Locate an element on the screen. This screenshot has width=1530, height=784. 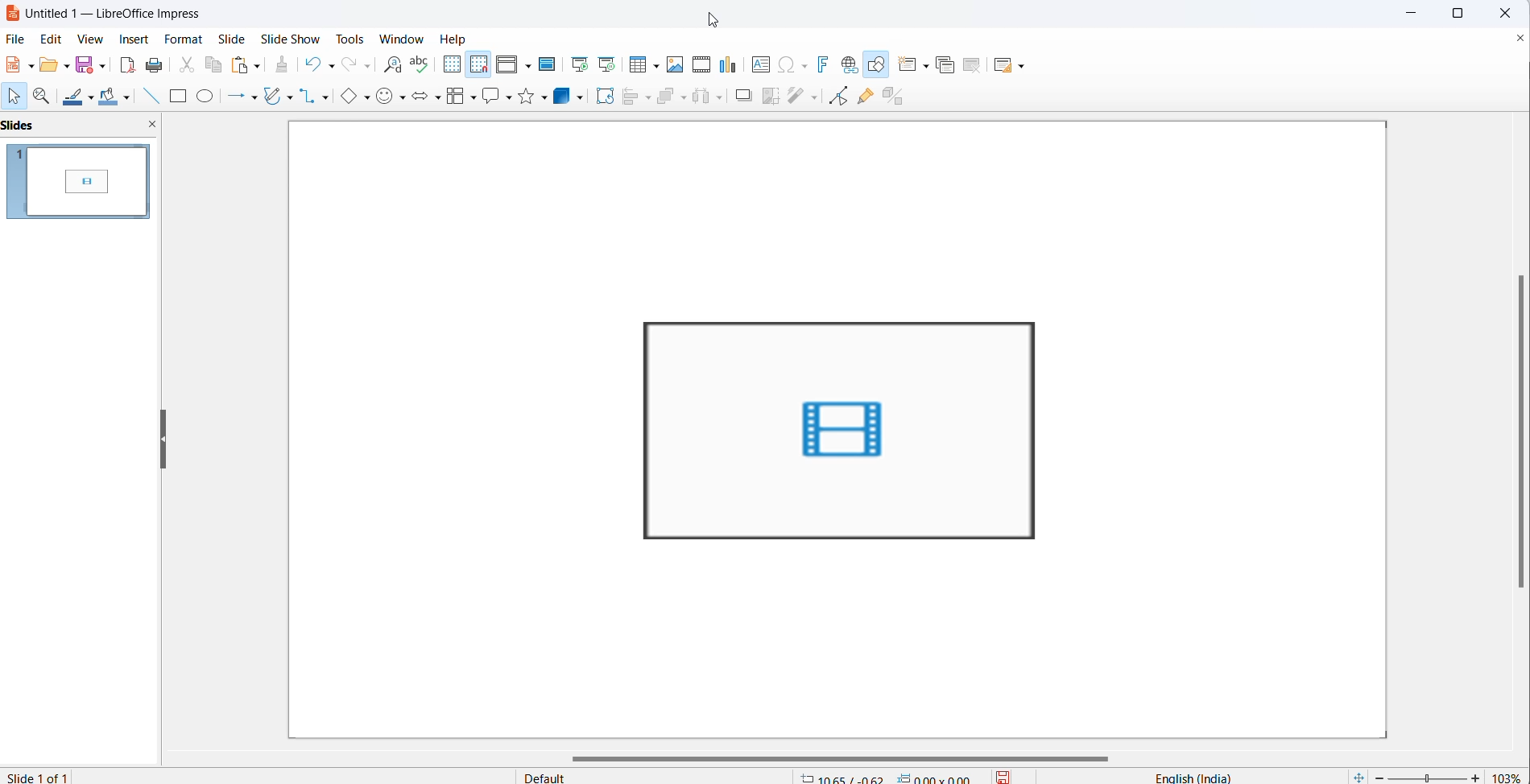
fill color options is located at coordinates (126, 101).